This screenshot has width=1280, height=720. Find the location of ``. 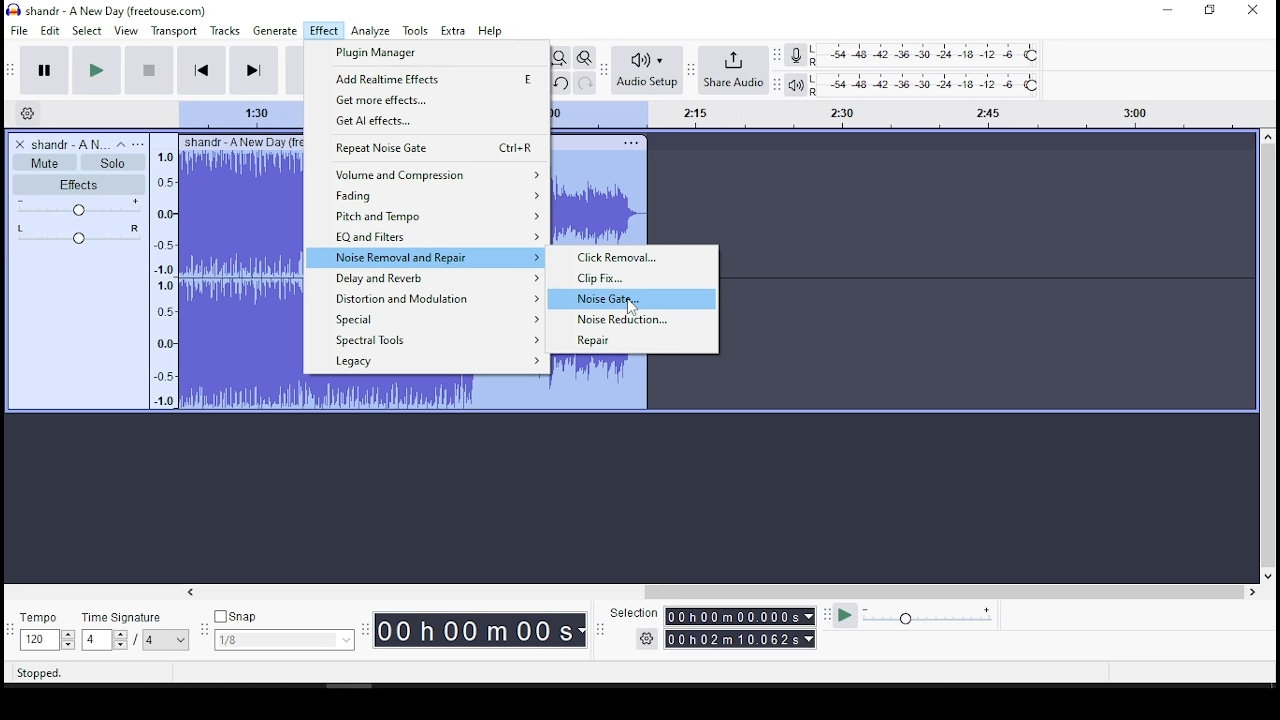

 is located at coordinates (451, 31).